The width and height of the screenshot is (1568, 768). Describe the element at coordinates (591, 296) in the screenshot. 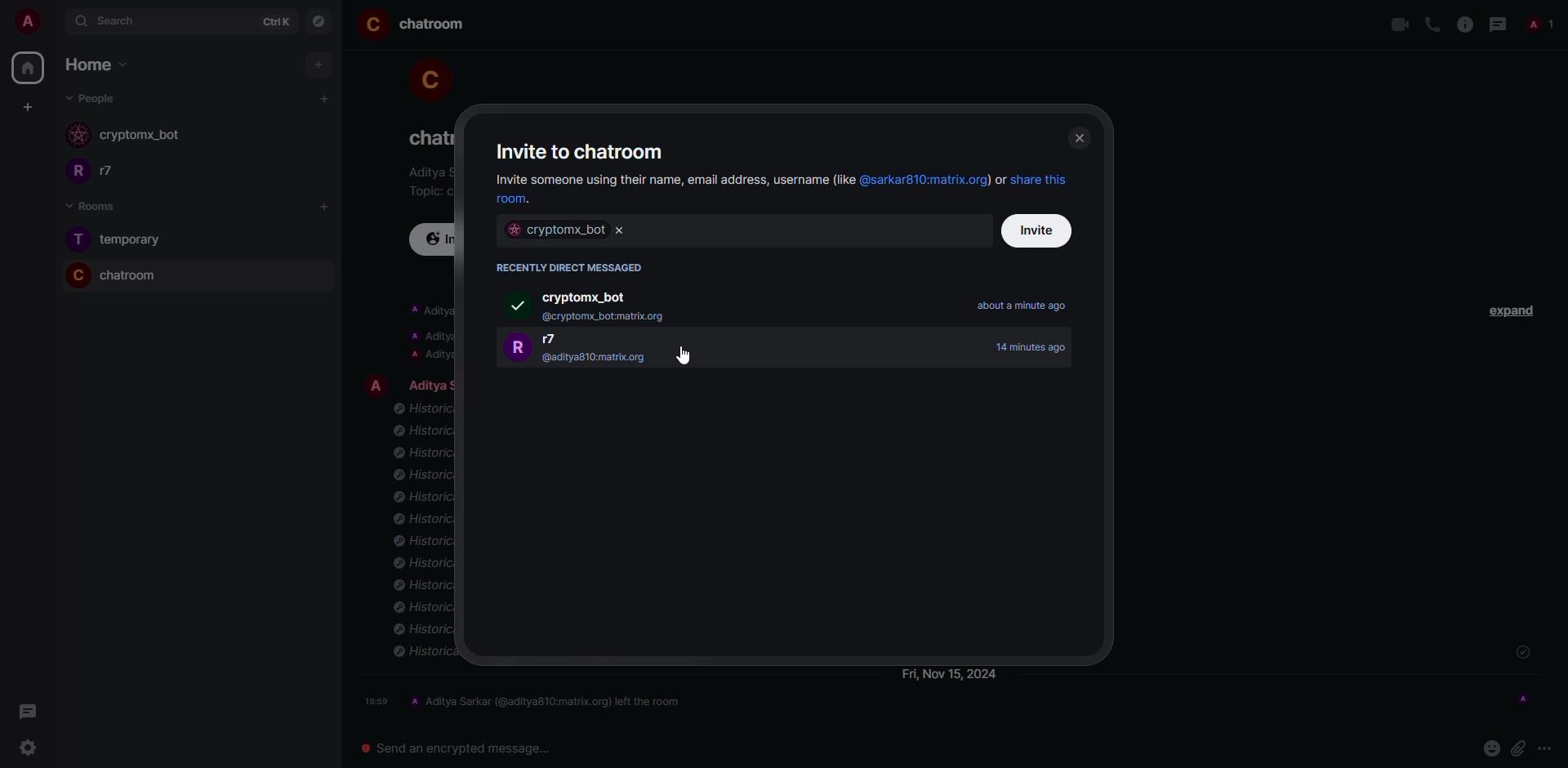

I see `bot` at that location.